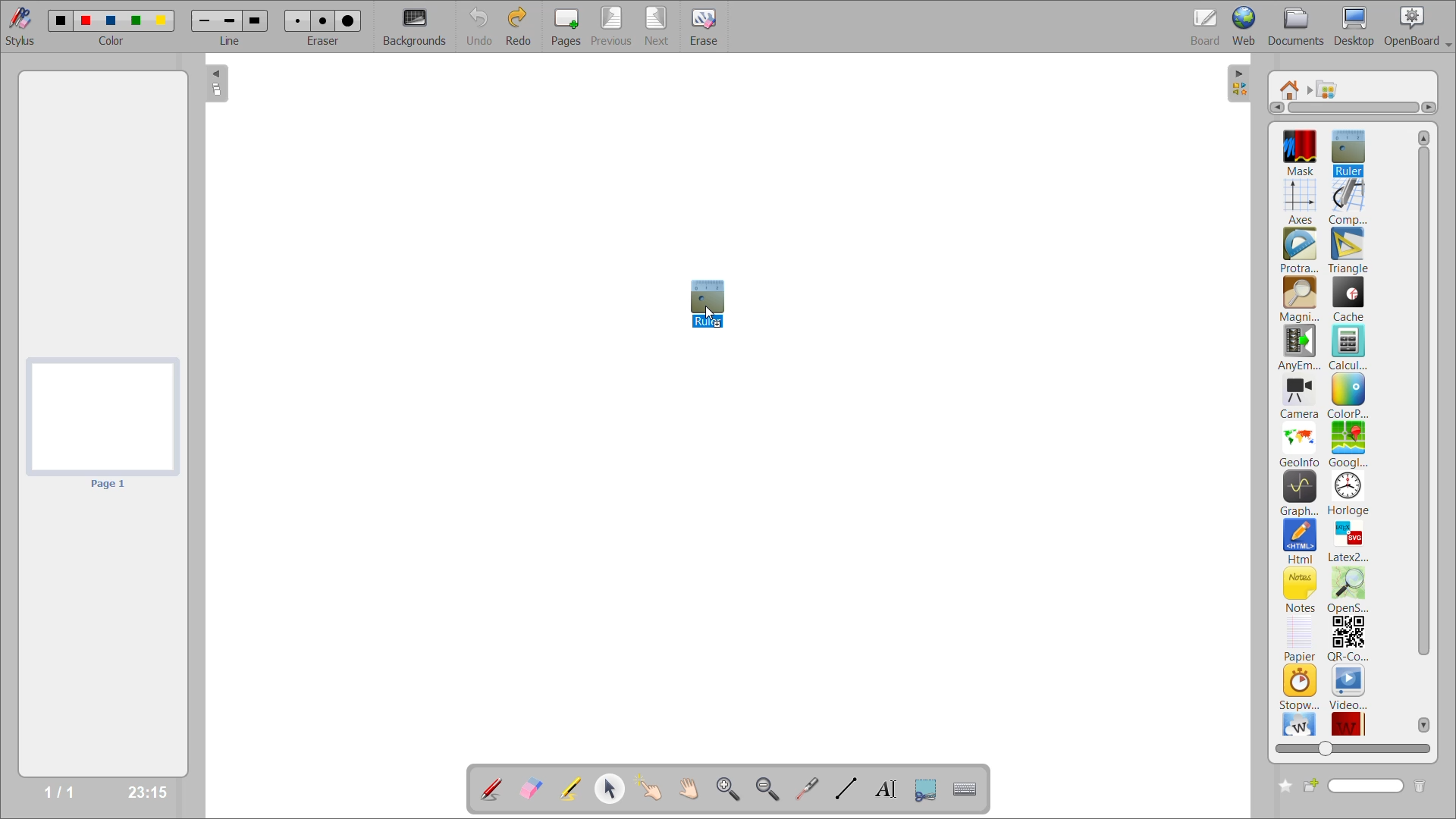 The height and width of the screenshot is (819, 1456). What do you see at coordinates (1354, 108) in the screenshot?
I see `horizontal scroll bar` at bounding box center [1354, 108].